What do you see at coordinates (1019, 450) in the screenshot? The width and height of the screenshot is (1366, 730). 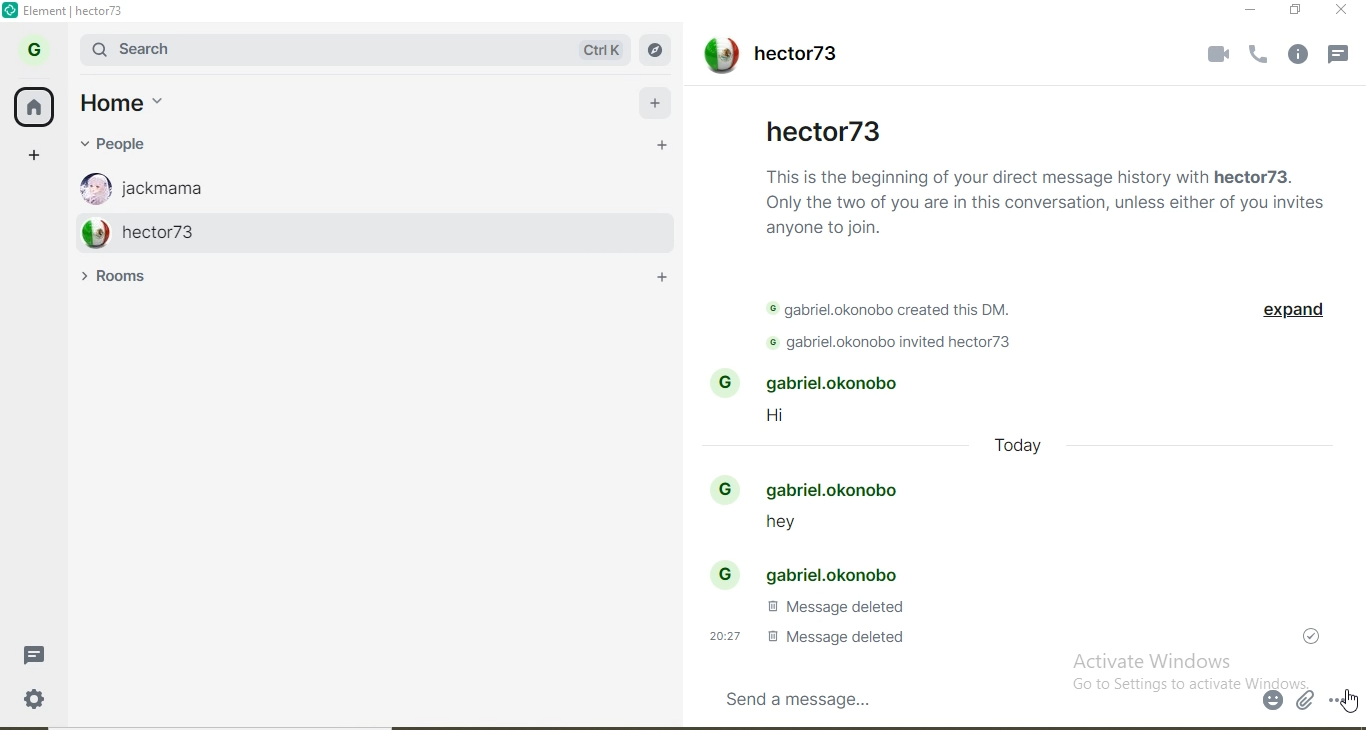 I see `today` at bounding box center [1019, 450].